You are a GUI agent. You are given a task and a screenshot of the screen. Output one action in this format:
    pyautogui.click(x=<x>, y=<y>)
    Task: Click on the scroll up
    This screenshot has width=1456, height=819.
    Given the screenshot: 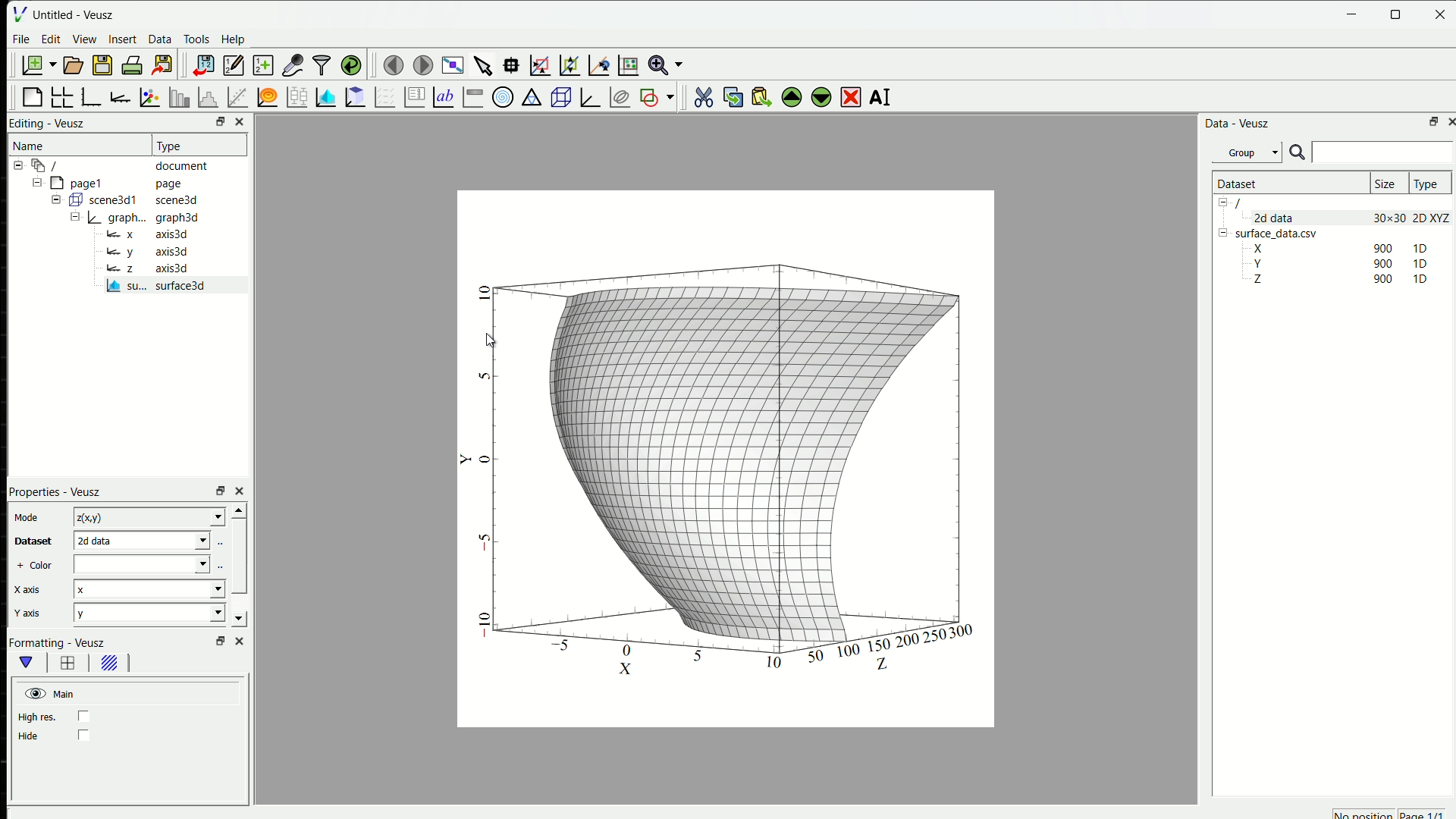 What is the action you would take?
    pyautogui.click(x=240, y=510)
    